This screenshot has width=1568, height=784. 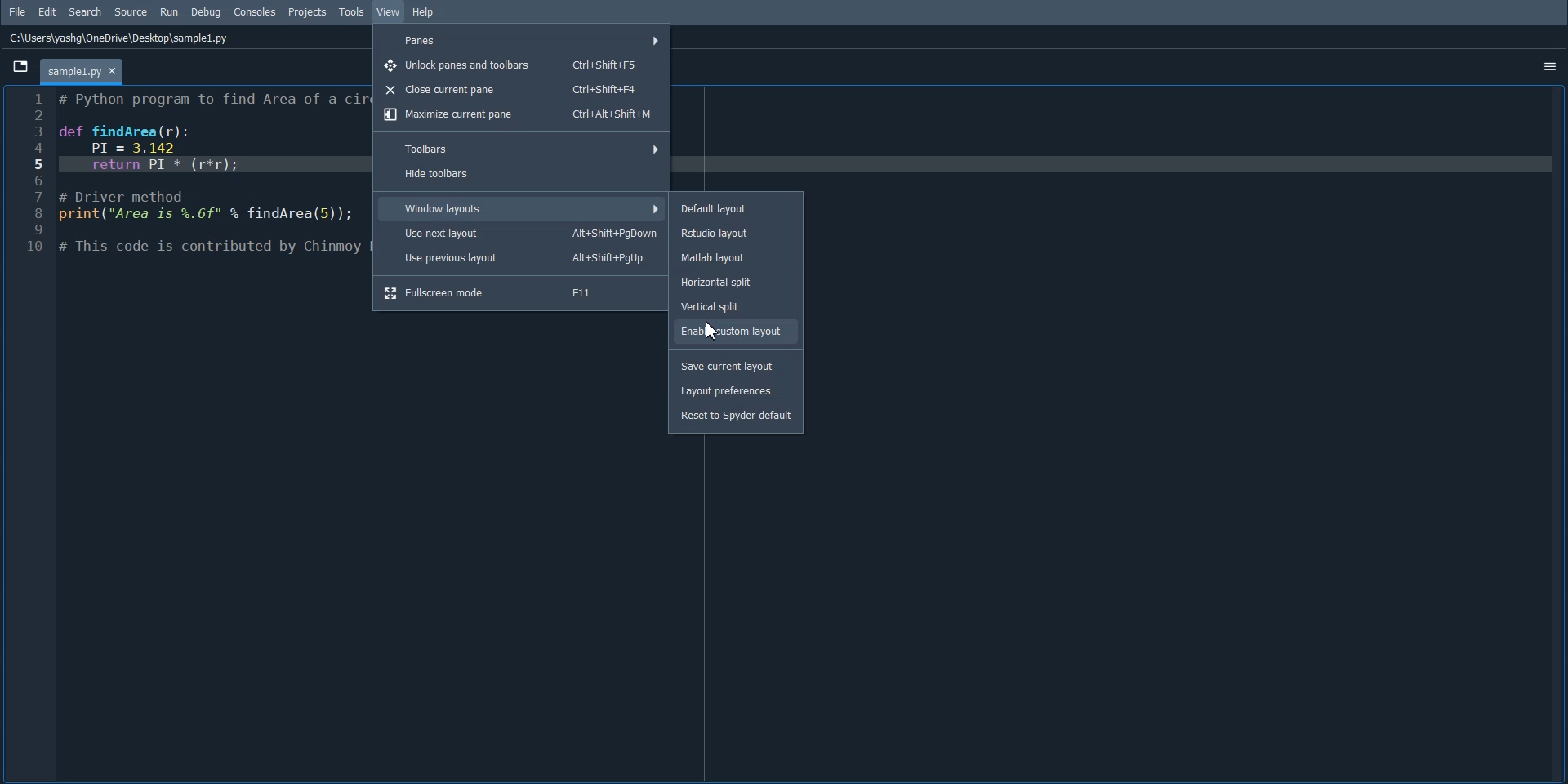 What do you see at coordinates (32, 174) in the screenshot?
I see `Line number` at bounding box center [32, 174].